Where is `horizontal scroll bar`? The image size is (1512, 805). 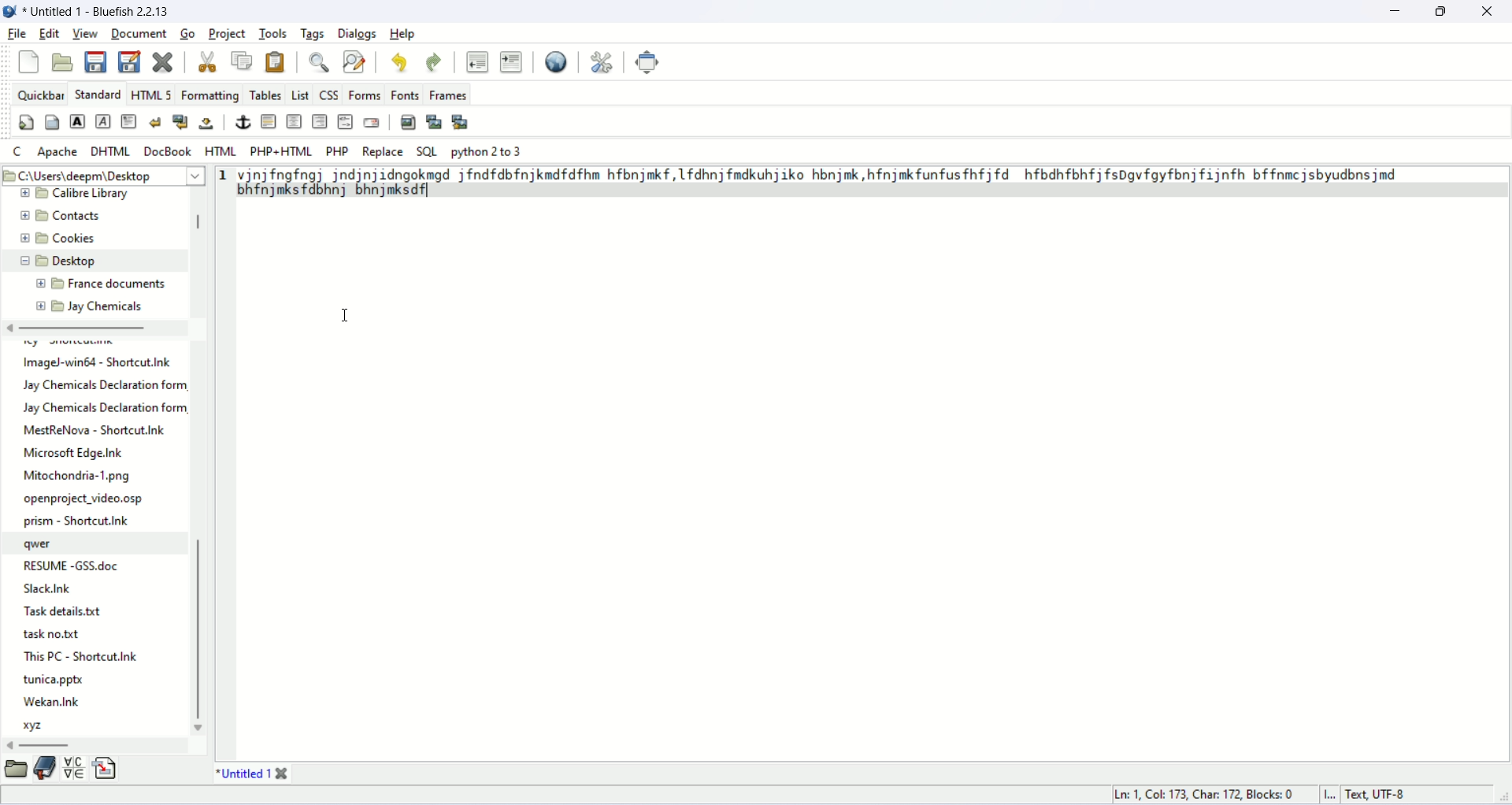
horizontal scroll bar is located at coordinates (81, 329).